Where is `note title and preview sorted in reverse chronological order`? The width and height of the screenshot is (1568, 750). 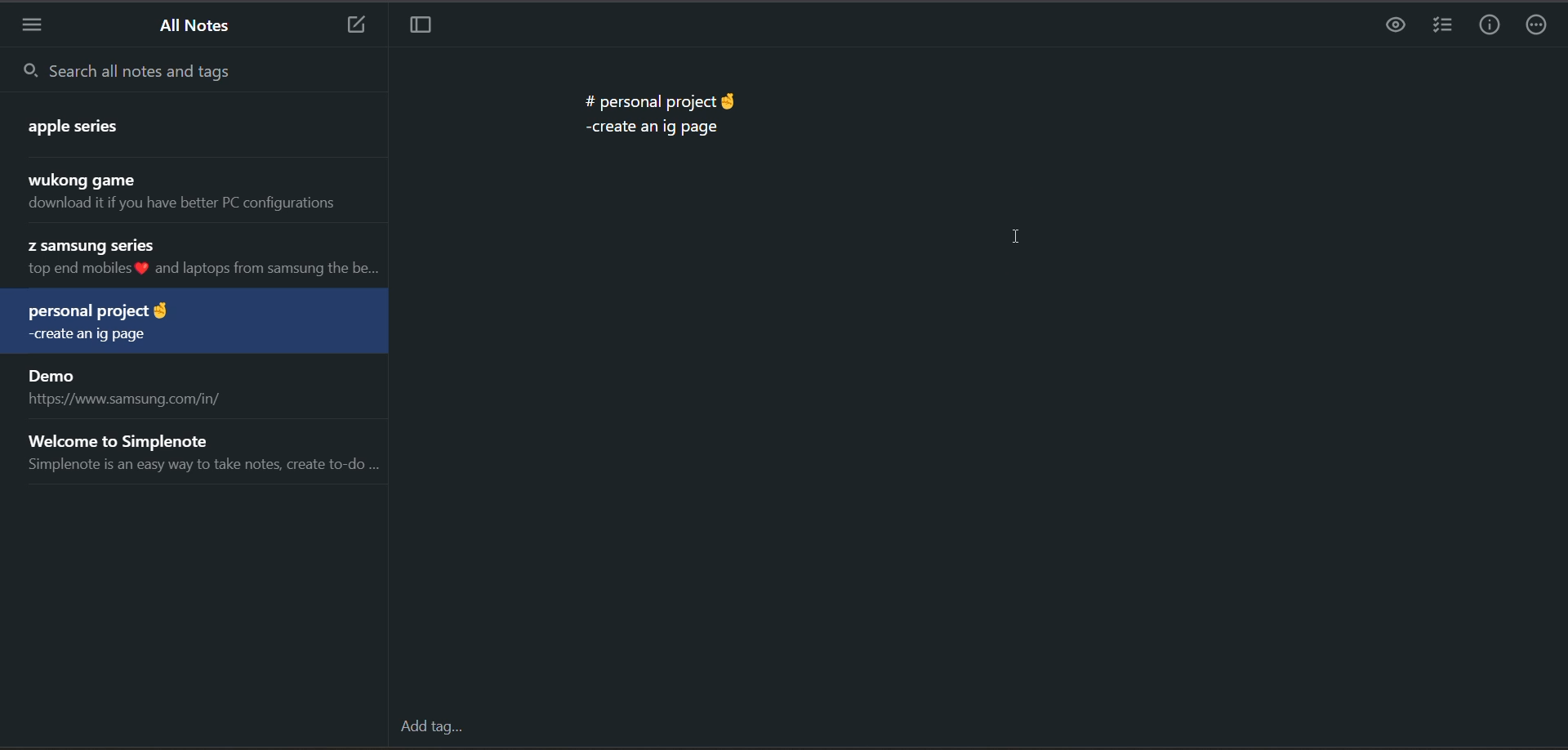
note title and preview sorted in reverse chronological order is located at coordinates (87, 124).